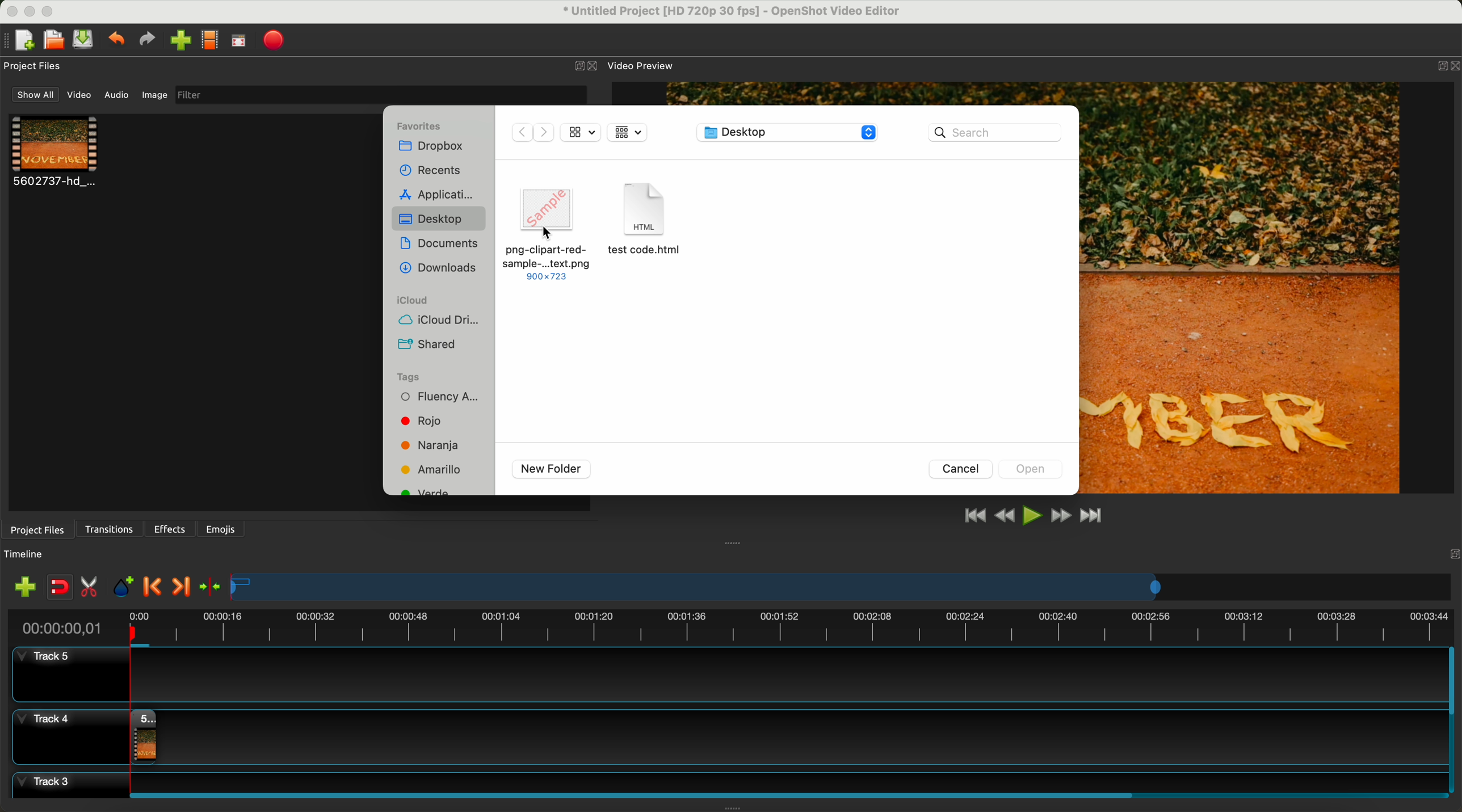 This screenshot has width=1462, height=812. Describe the element at coordinates (725, 734) in the screenshot. I see `track 4` at that location.